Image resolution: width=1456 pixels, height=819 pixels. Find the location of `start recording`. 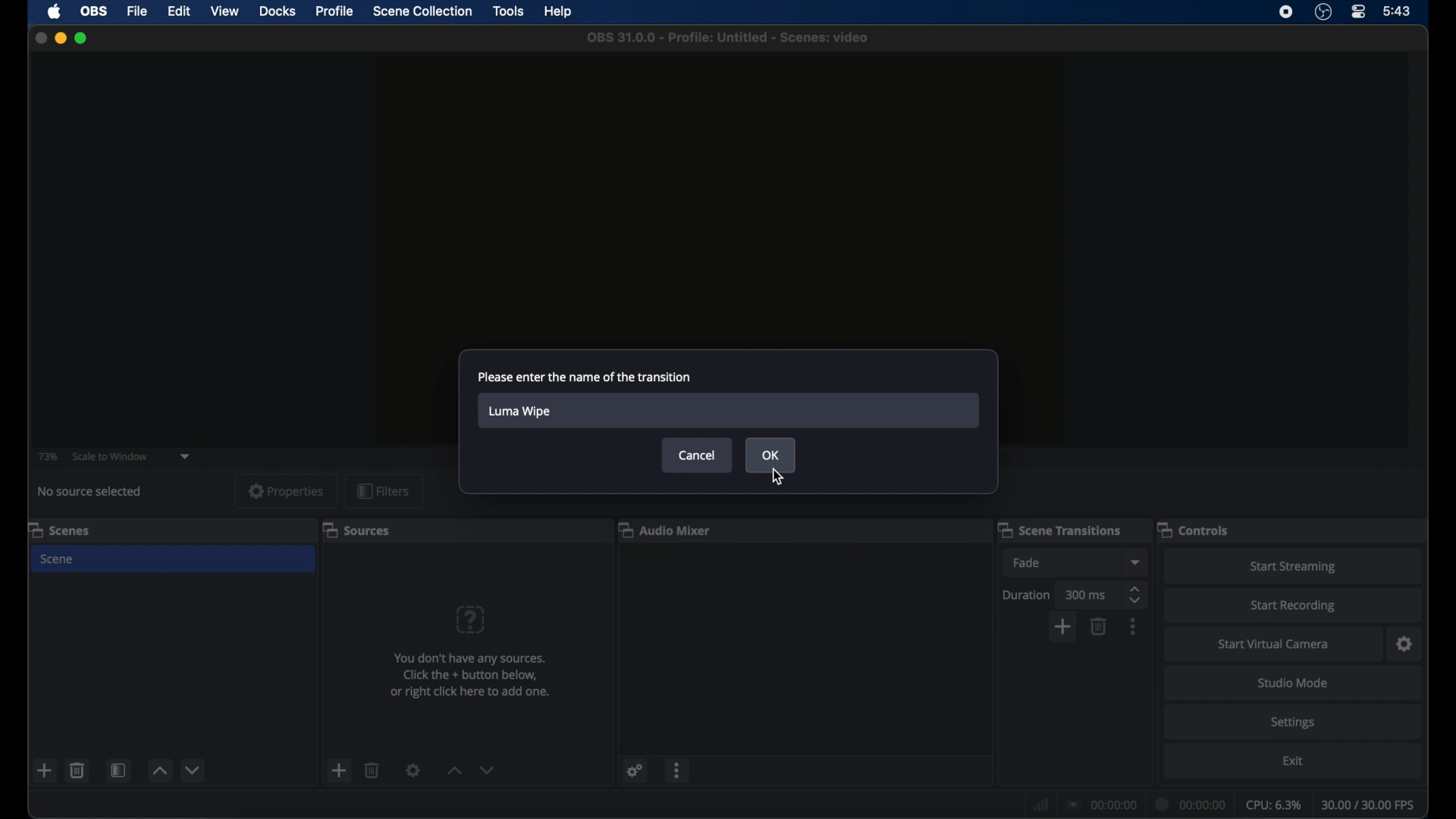

start recording is located at coordinates (1296, 605).